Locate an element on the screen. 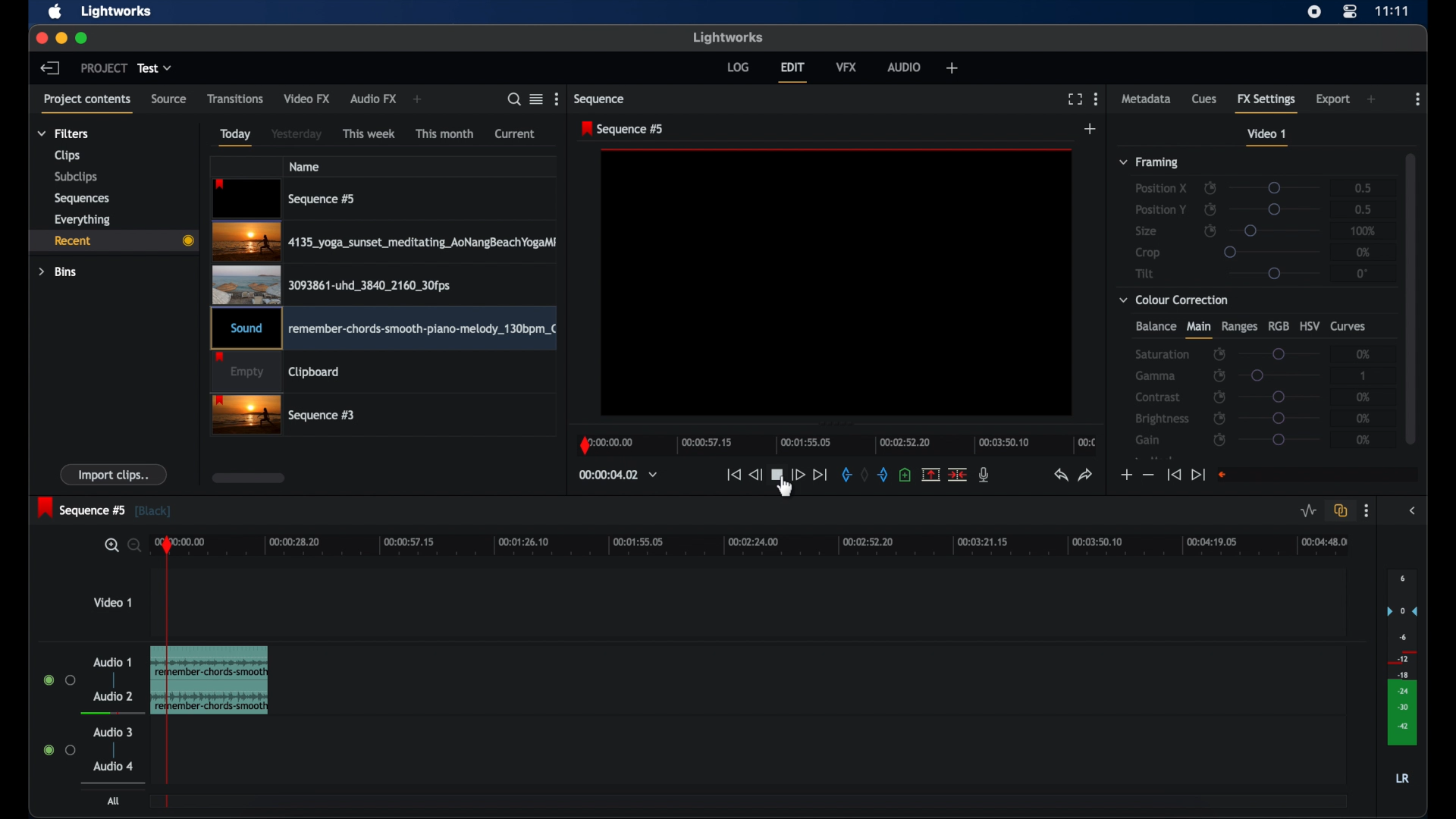 The width and height of the screenshot is (1456, 819). bins is located at coordinates (58, 272).